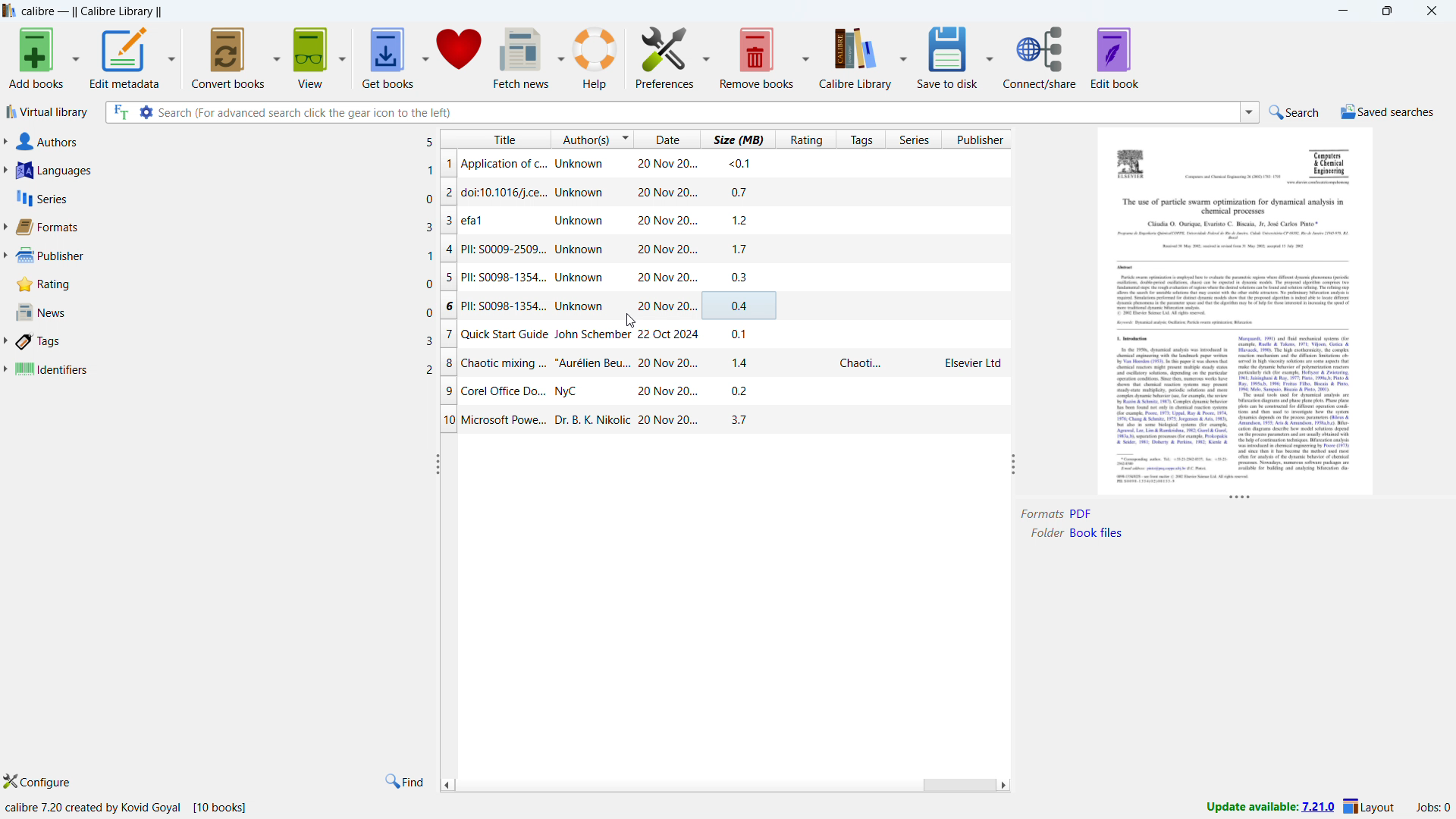 The height and width of the screenshot is (819, 1456). I want to click on Chaotic mixing ..., so click(730, 362).